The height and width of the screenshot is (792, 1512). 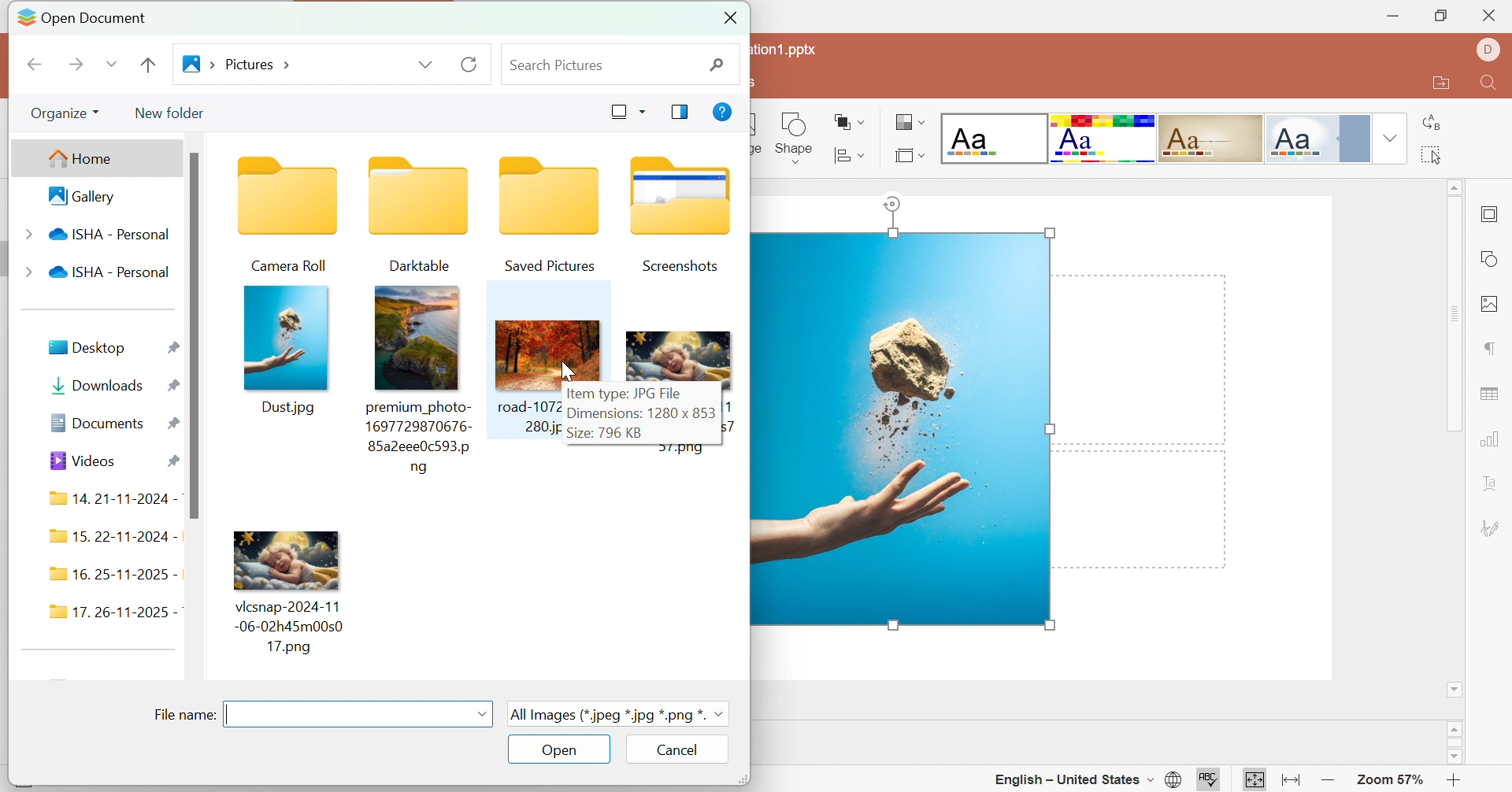 What do you see at coordinates (1392, 16) in the screenshot?
I see `Minimize` at bounding box center [1392, 16].